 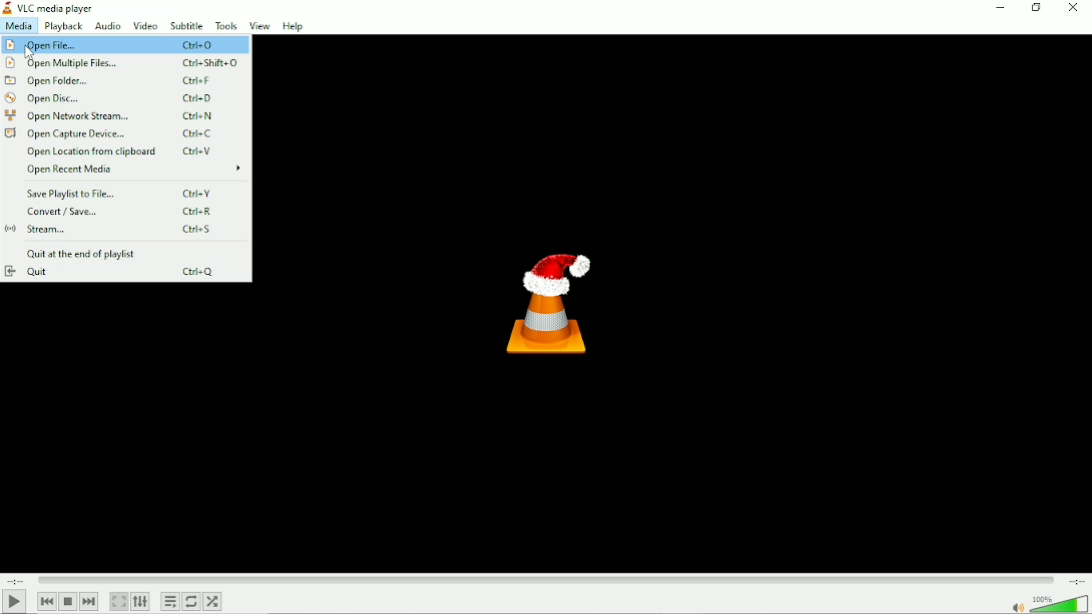 What do you see at coordinates (49, 7) in the screenshot?
I see `VLC media player` at bounding box center [49, 7].